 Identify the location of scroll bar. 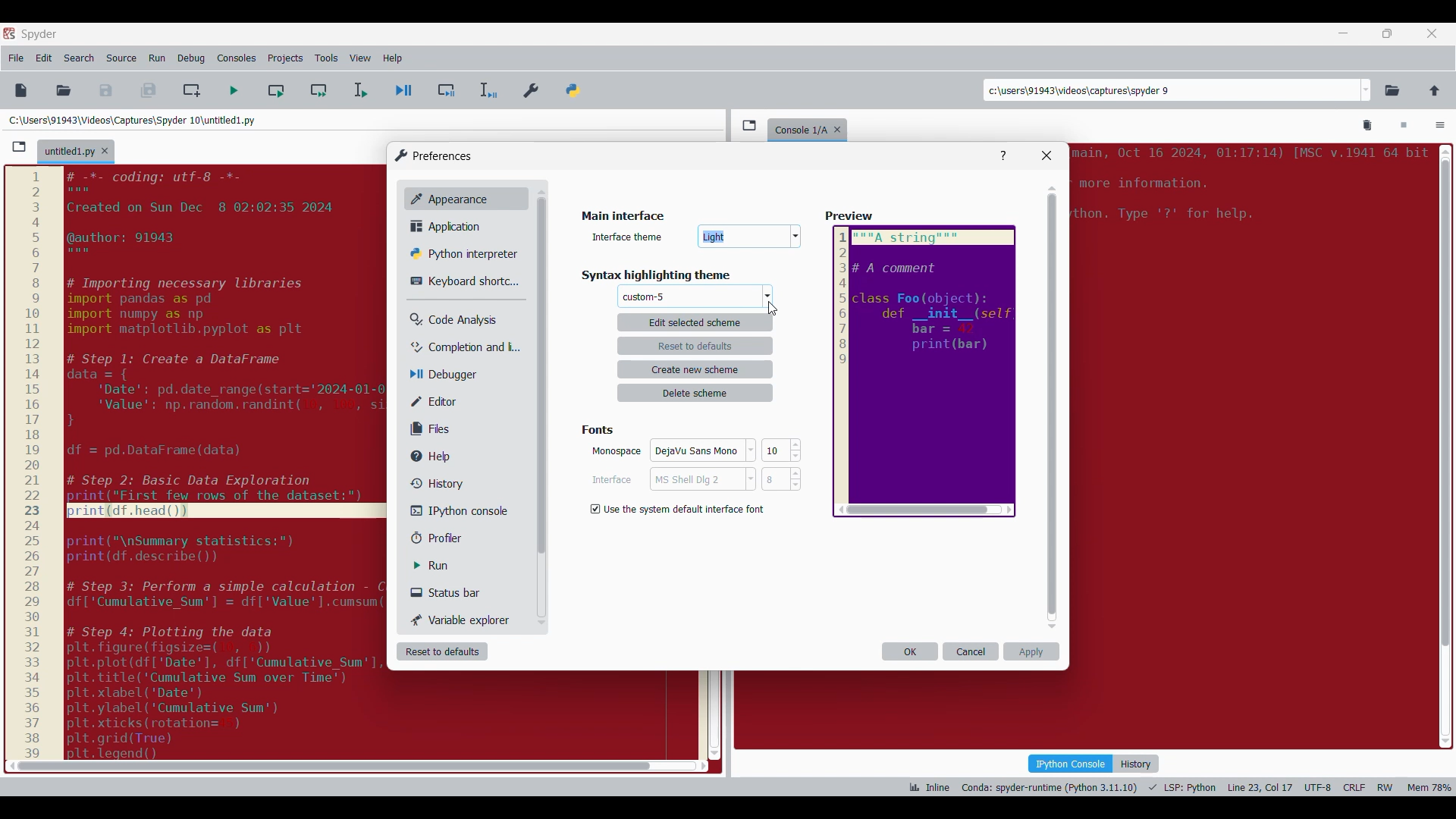
(1443, 442).